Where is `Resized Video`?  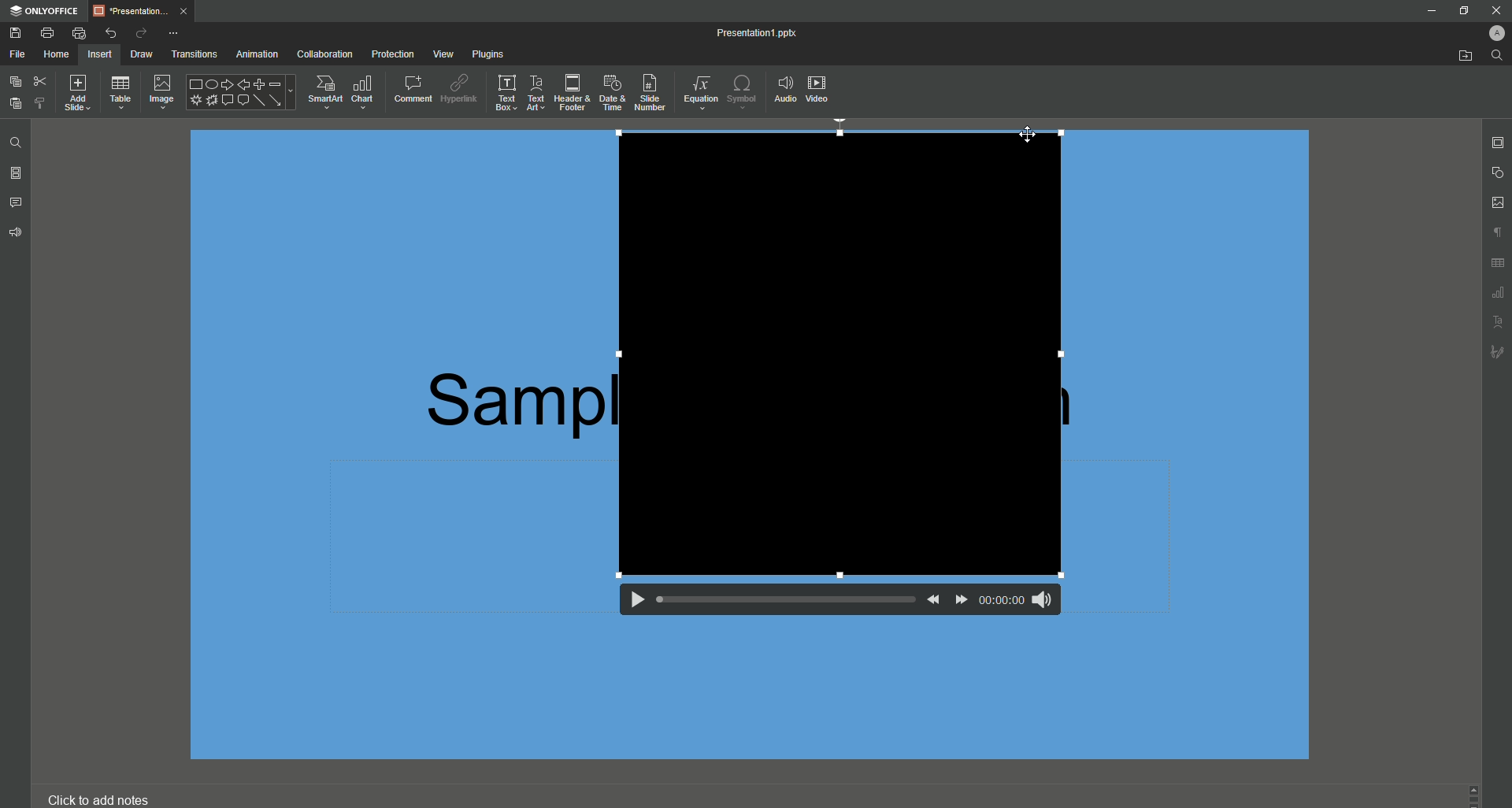 Resized Video is located at coordinates (838, 355).